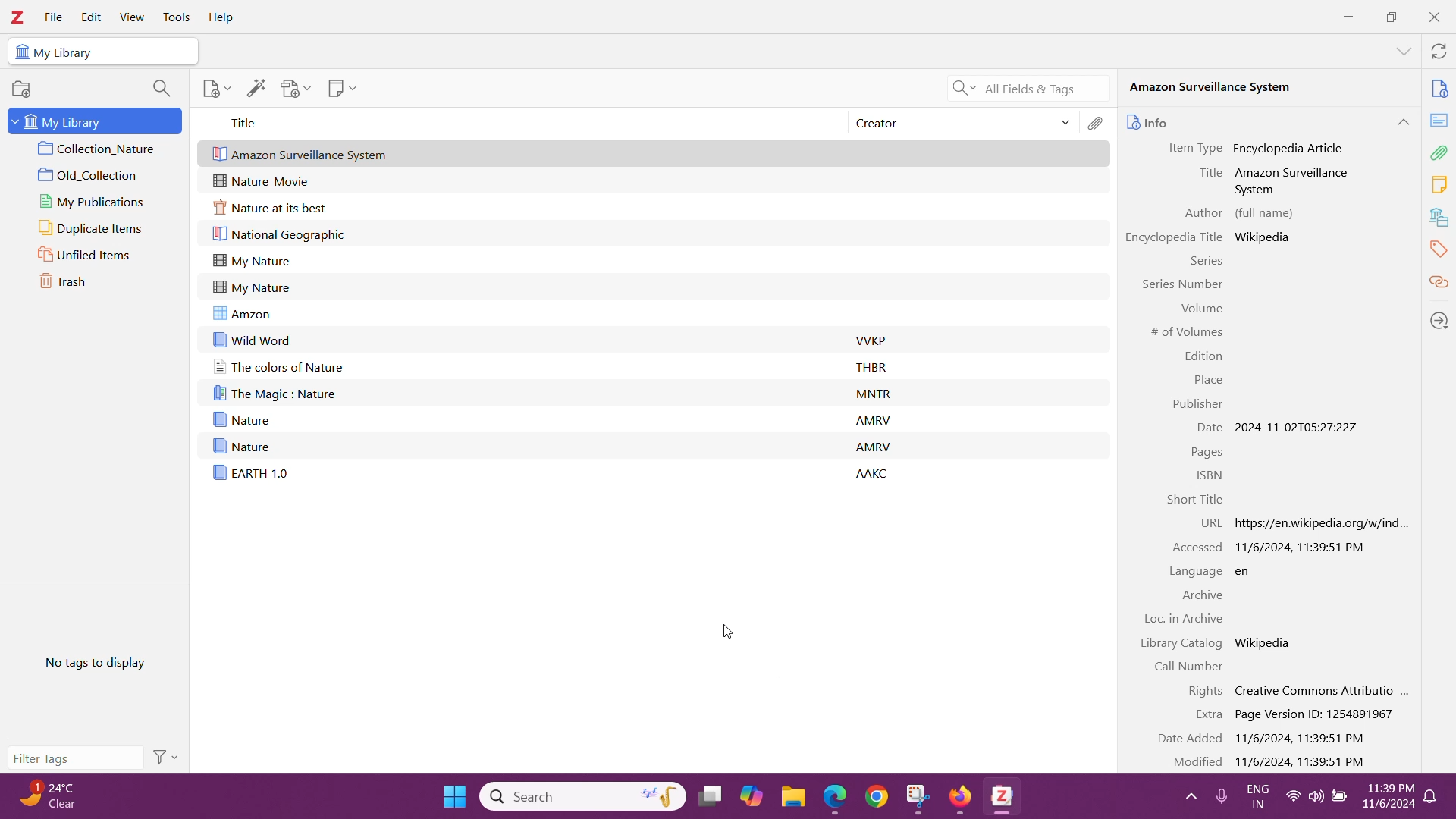 This screenshot has height=819, width=1456. I want to click on Time and date, so click(1389, 799).